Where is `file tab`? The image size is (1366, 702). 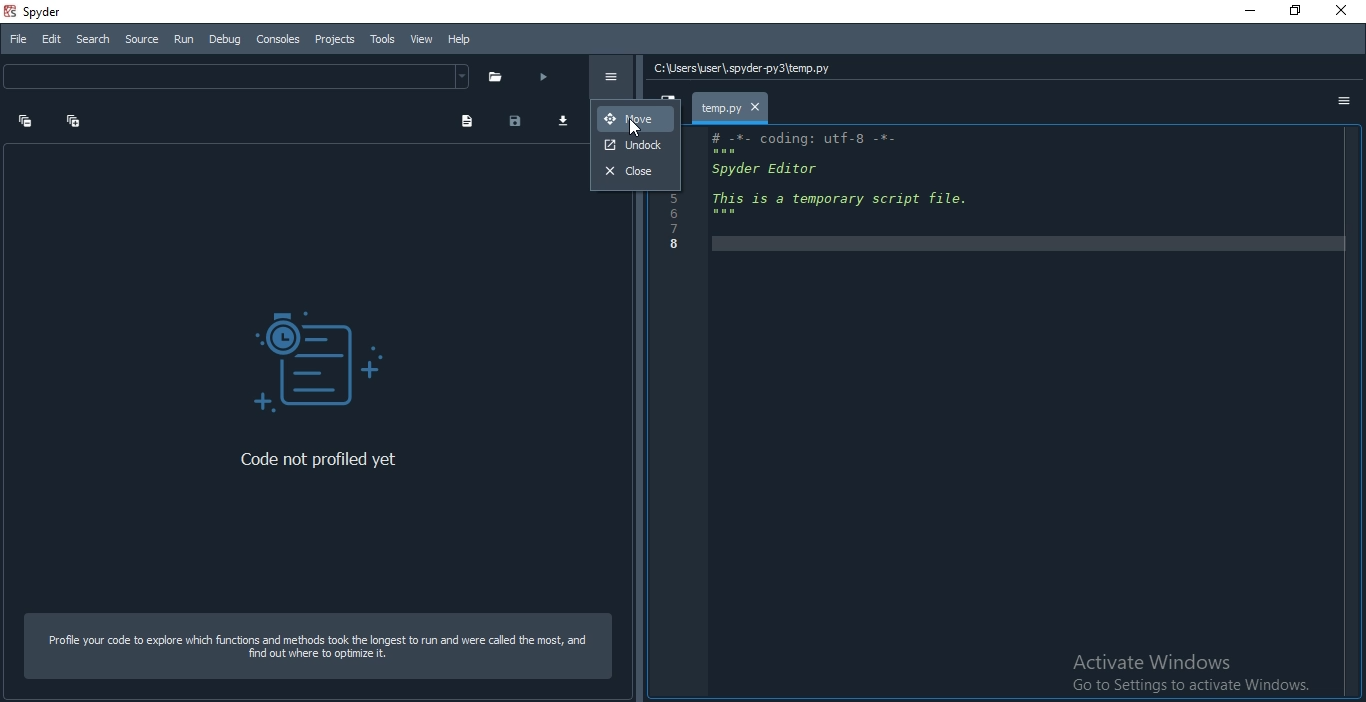
file tab is located at coordinates (732, 107).